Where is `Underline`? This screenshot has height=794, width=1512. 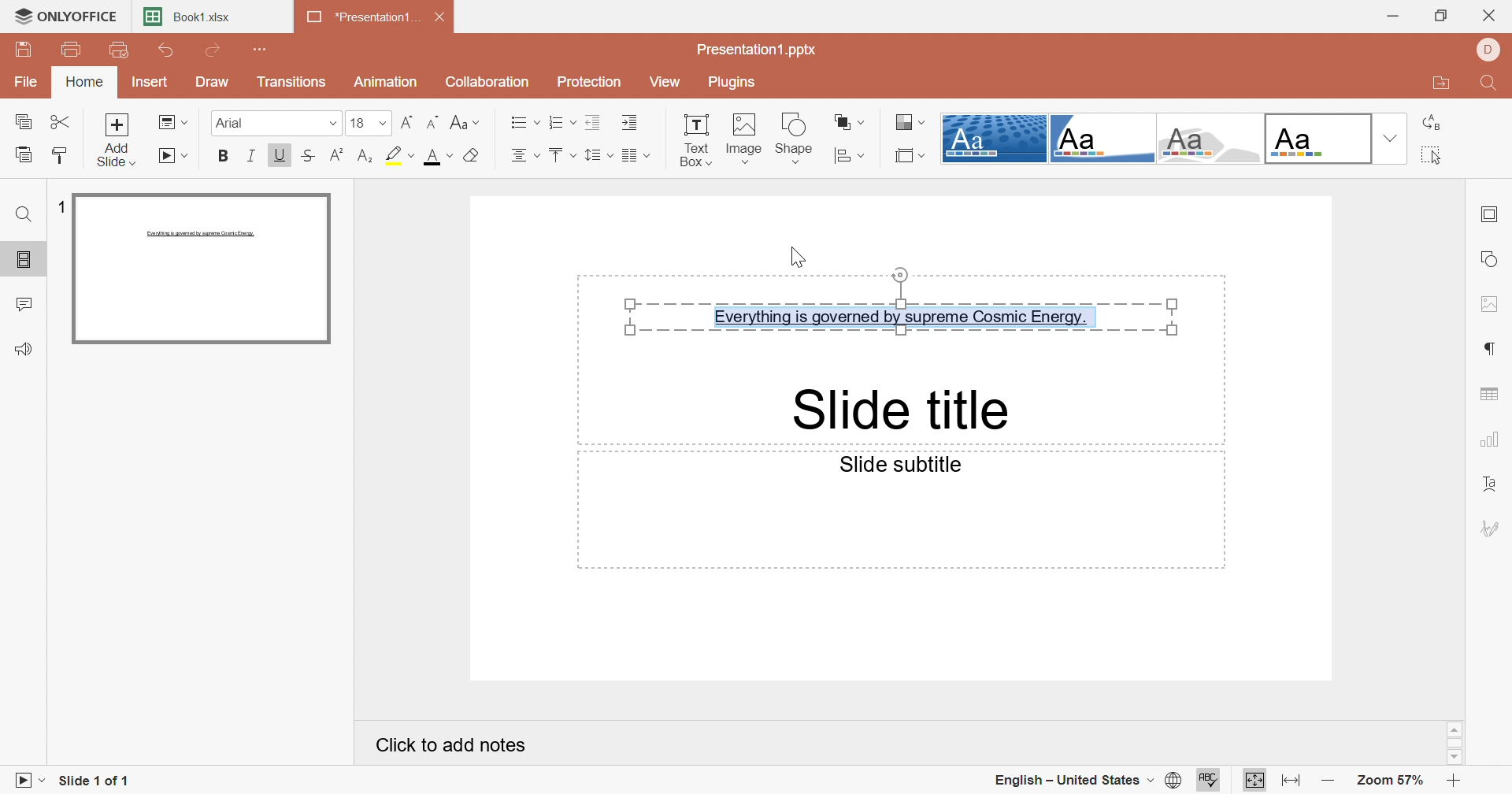 Underline is located at coordinates (280, 154).